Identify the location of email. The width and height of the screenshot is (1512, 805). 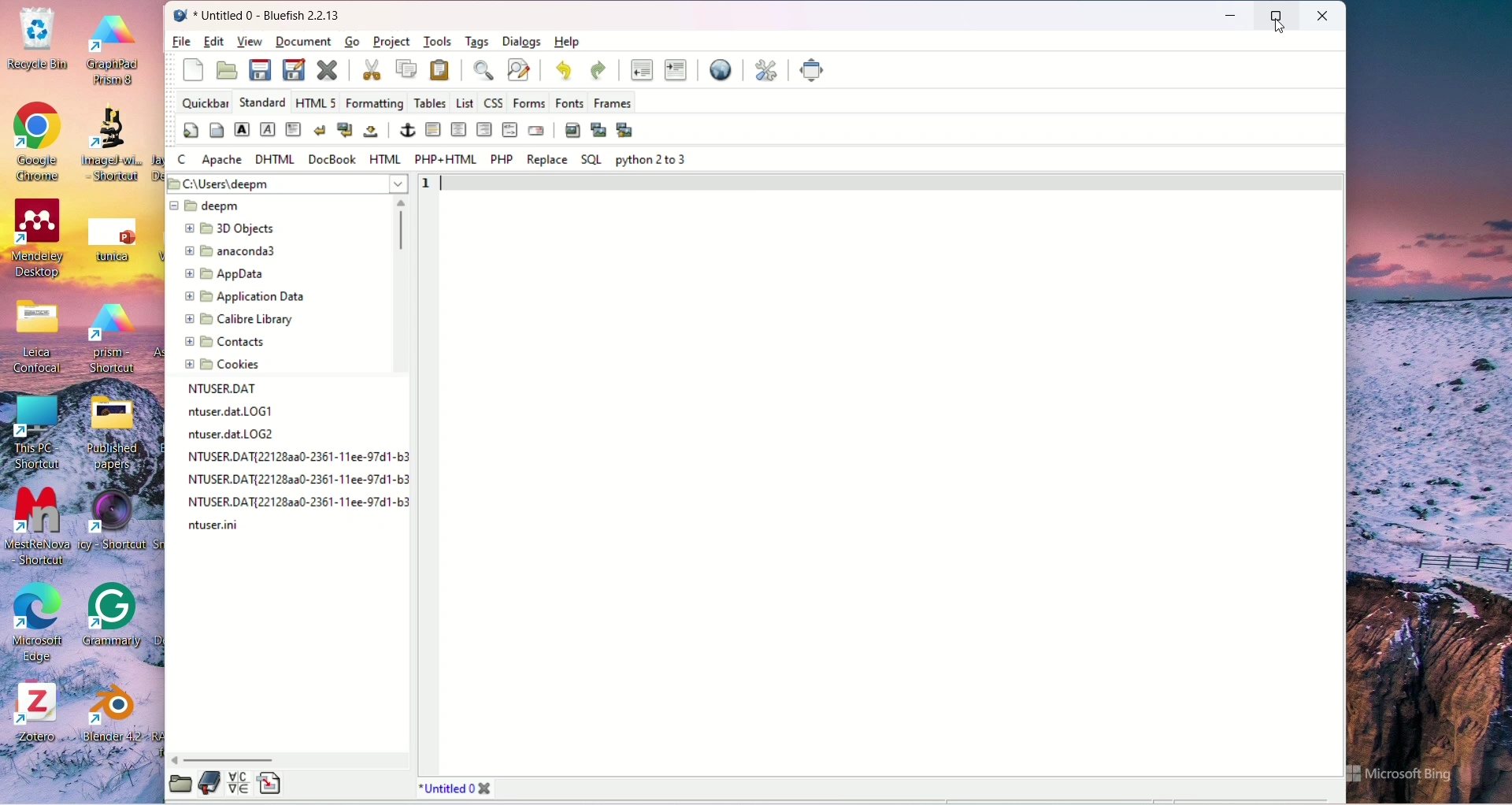
(538, 130).